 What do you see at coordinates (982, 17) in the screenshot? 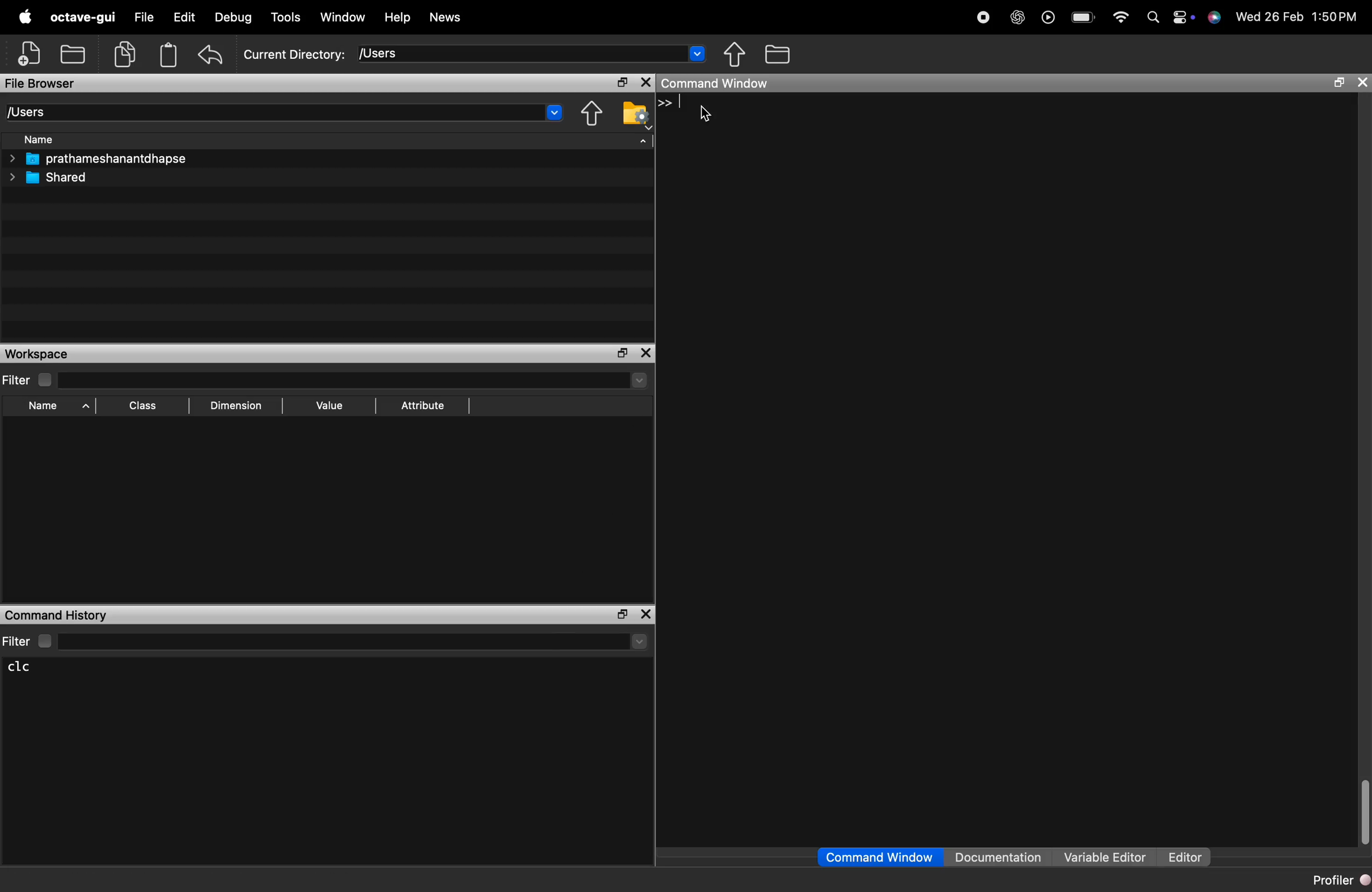
I see `Recorder` at bounding box center [982, 17].